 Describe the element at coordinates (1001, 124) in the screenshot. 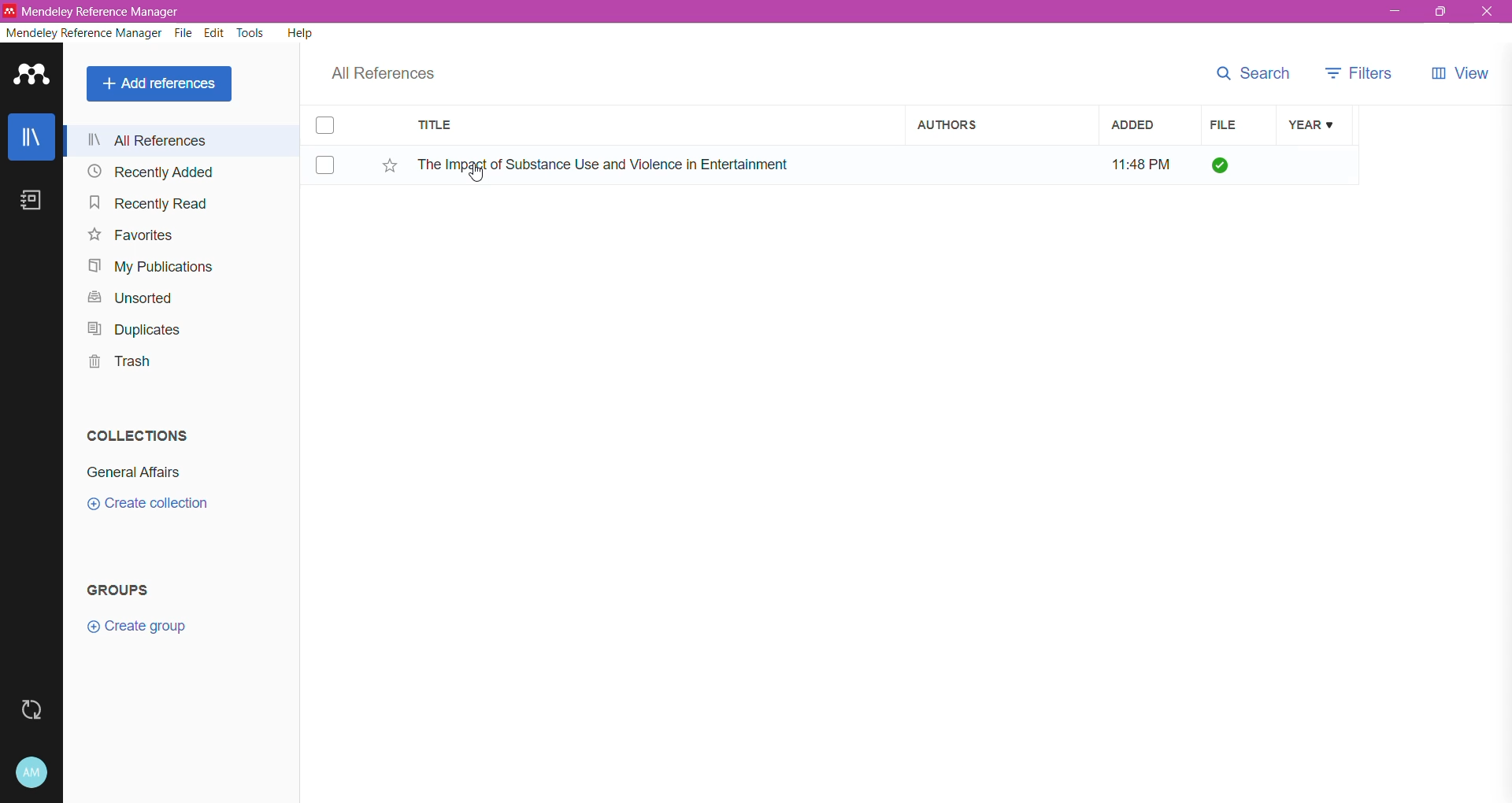

I see `Authors` at that location.